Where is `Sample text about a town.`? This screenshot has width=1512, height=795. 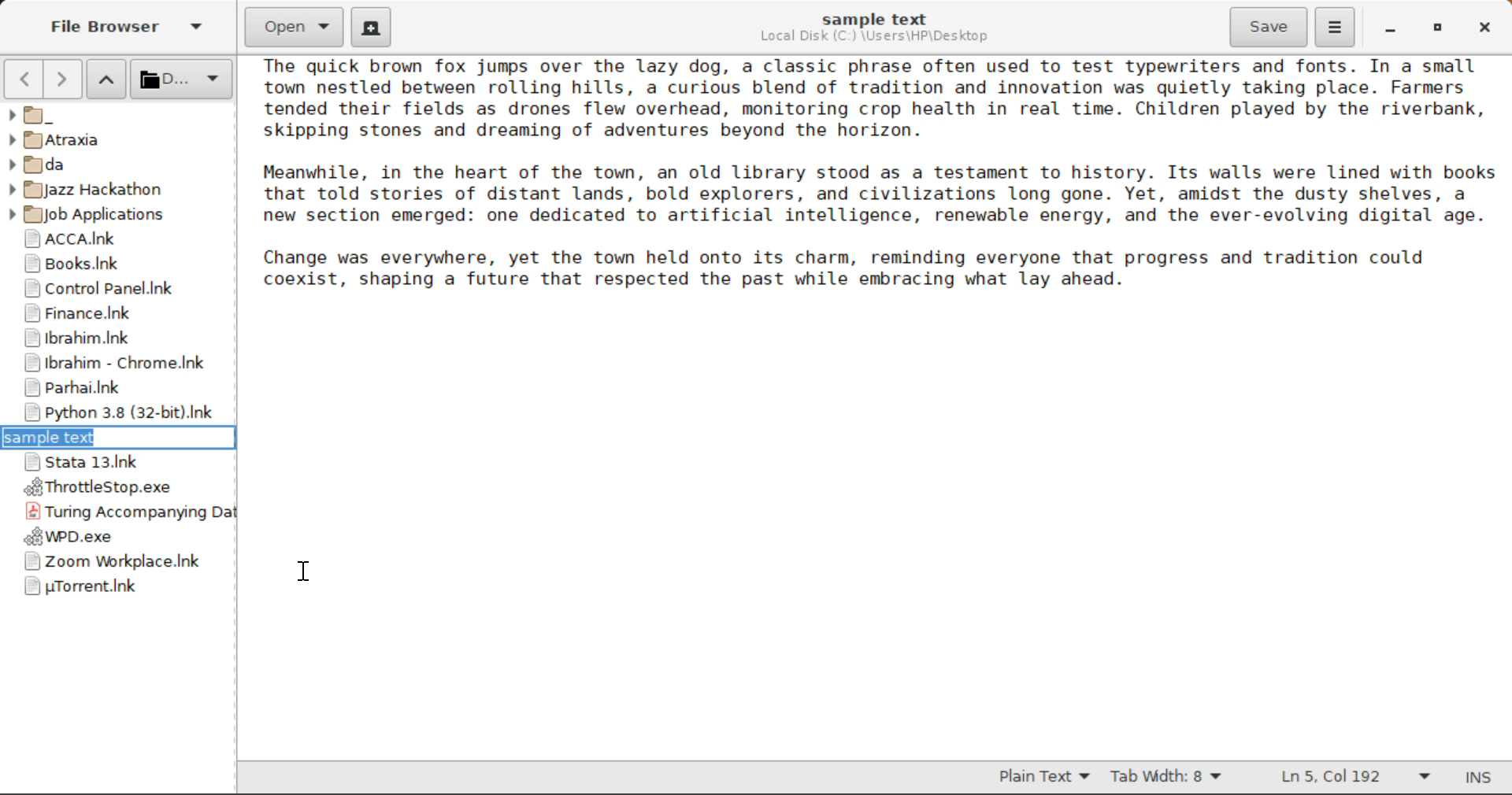 Sample text about a town. is located at coordinates (880, 201).